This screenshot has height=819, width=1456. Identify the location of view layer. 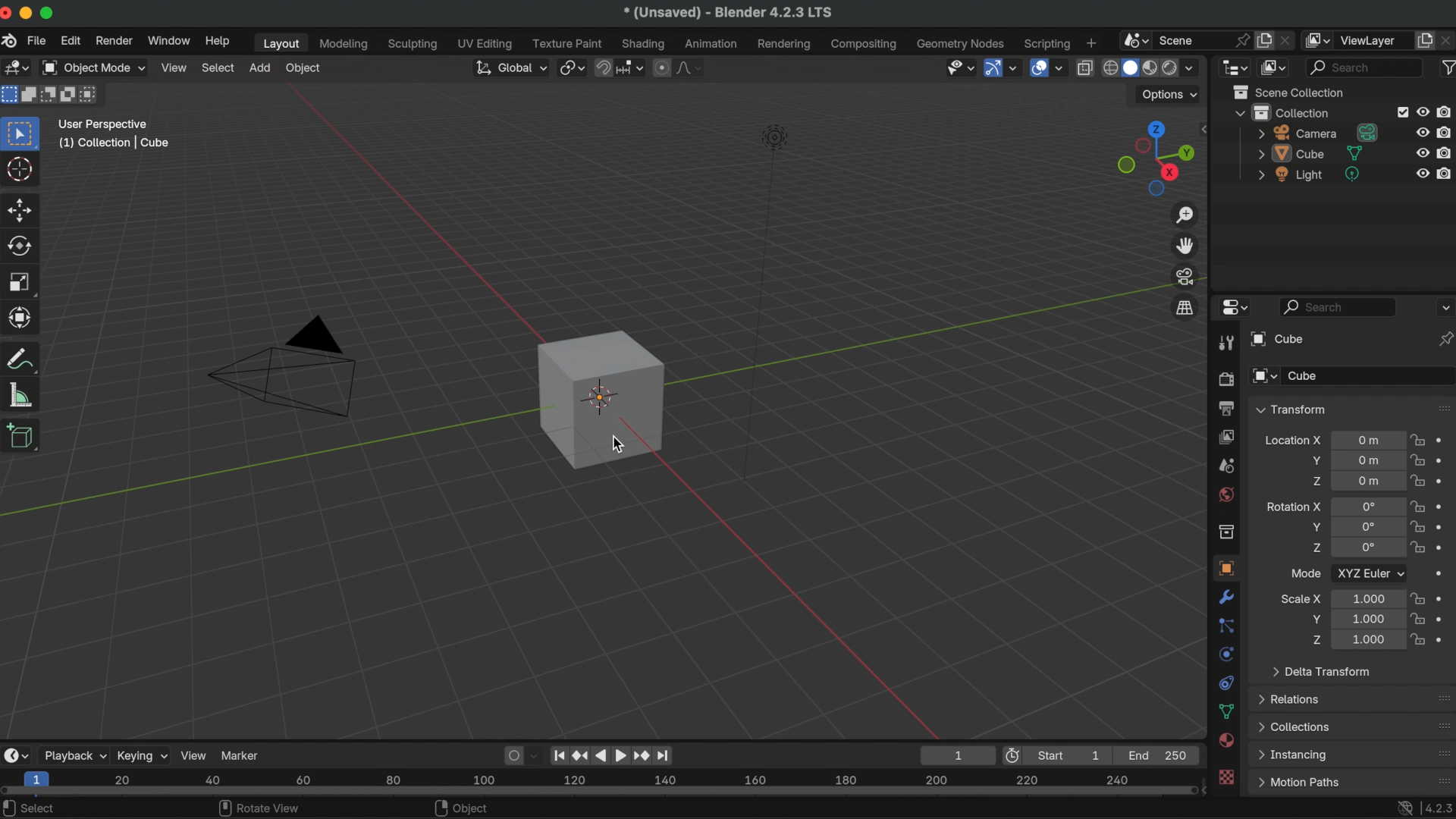
(1373, 40).